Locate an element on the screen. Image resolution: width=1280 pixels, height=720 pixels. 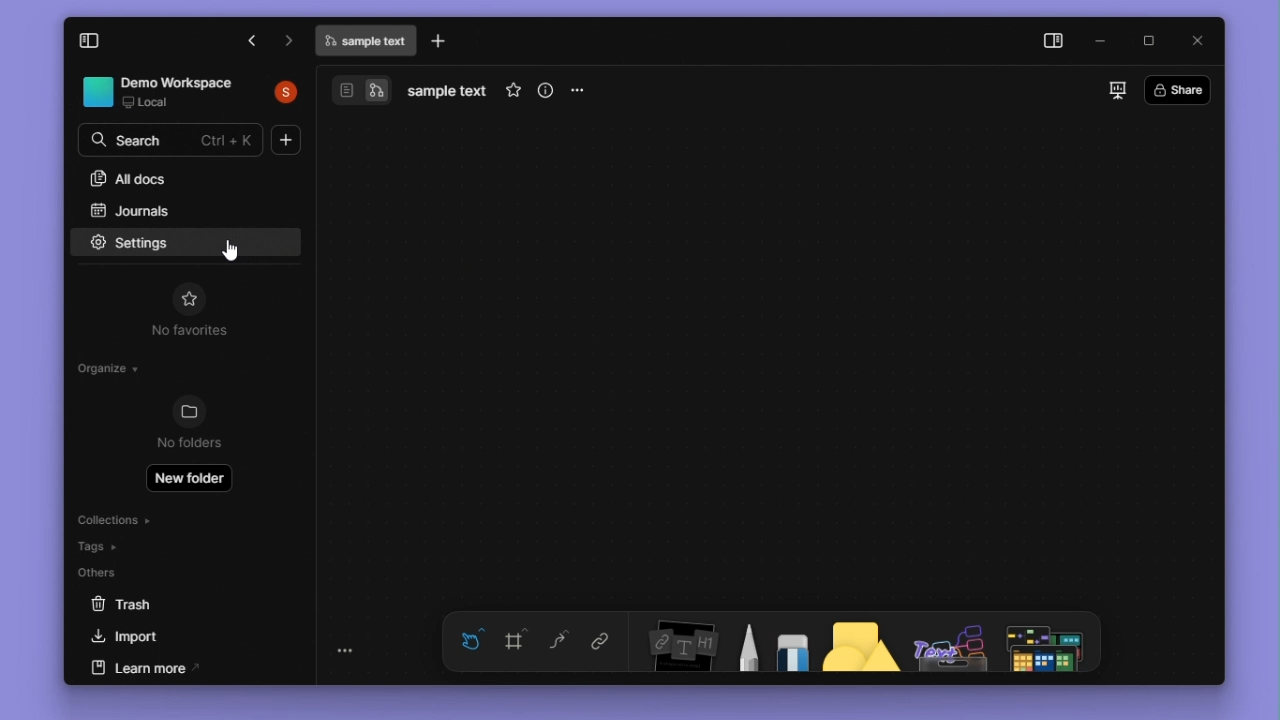
favourites is located at coordinates (514, 88).